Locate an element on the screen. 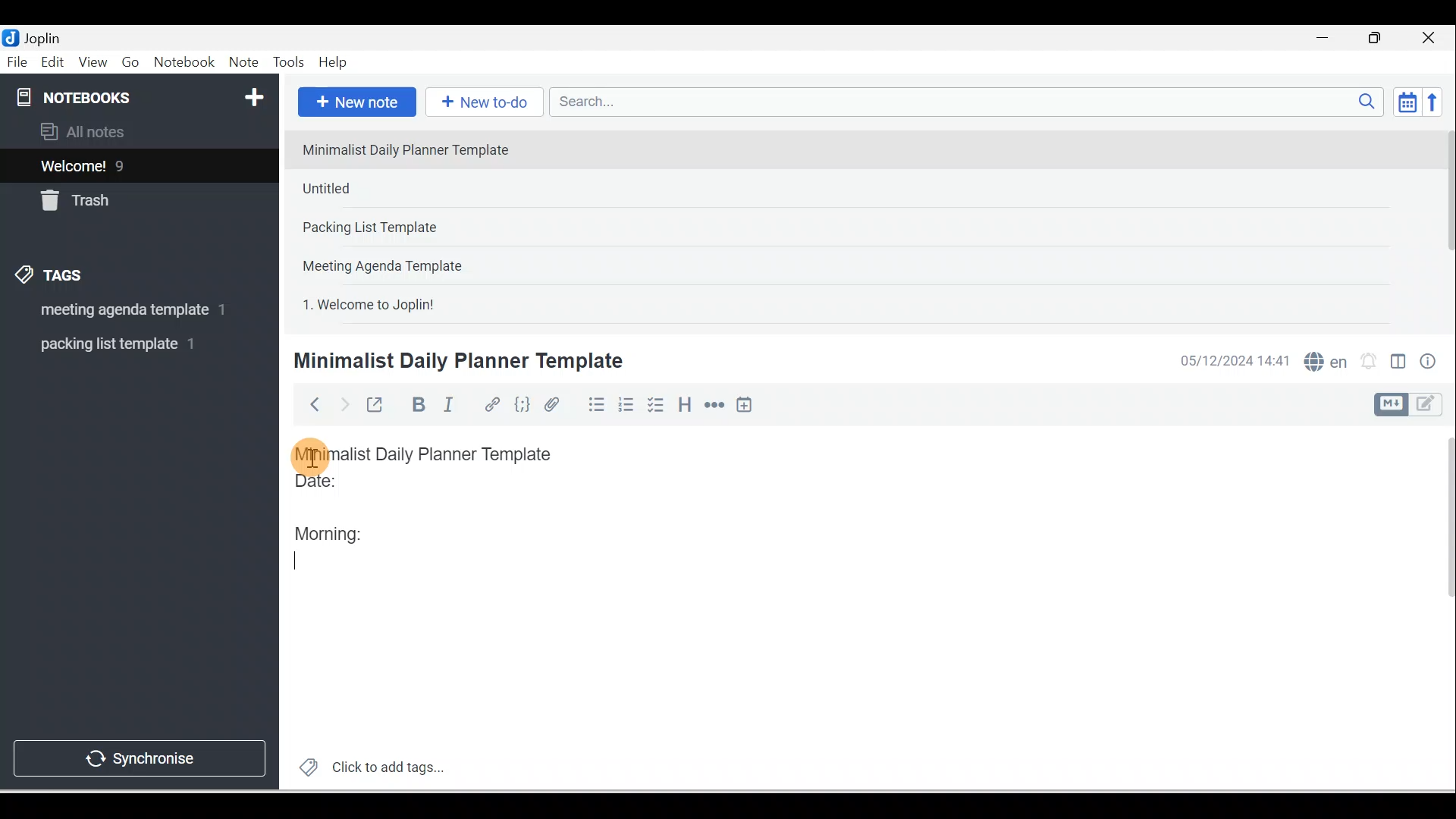 This screenshot has width=1456, height=819. Tags is located at coordinates (54, 278).